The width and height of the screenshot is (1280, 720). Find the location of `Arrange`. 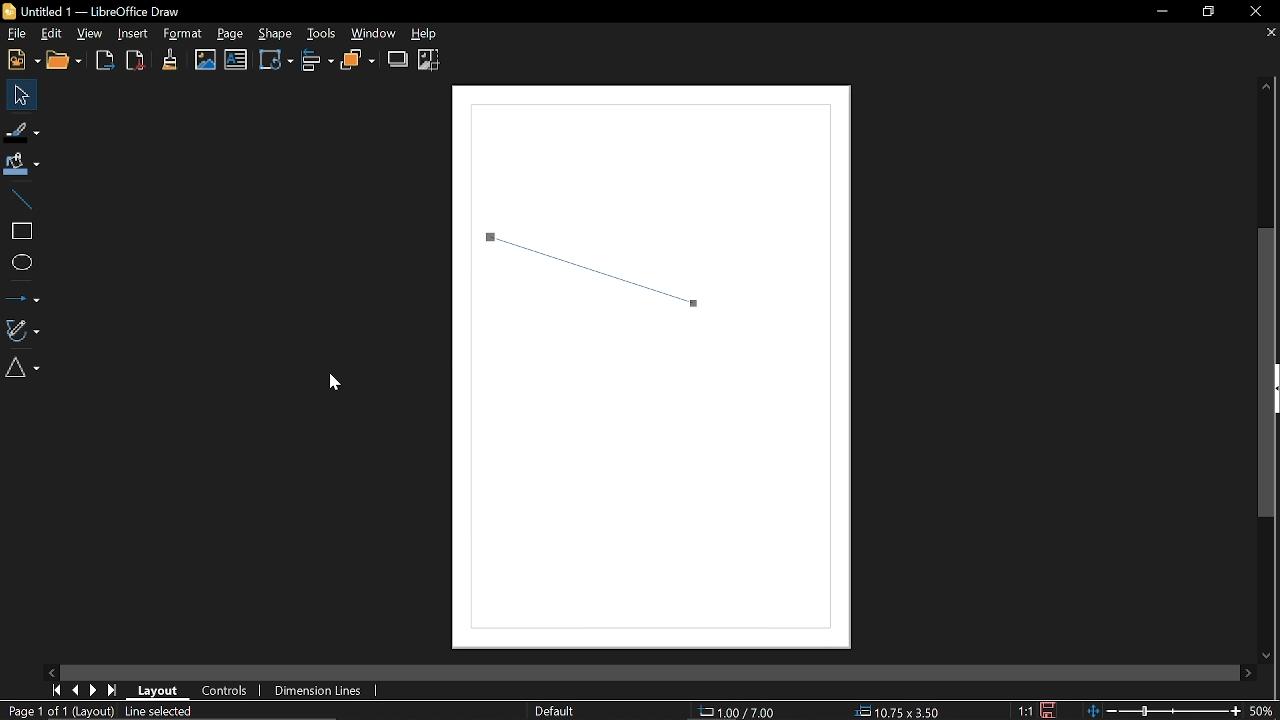

Arrange is located at coordinates (359, 61).